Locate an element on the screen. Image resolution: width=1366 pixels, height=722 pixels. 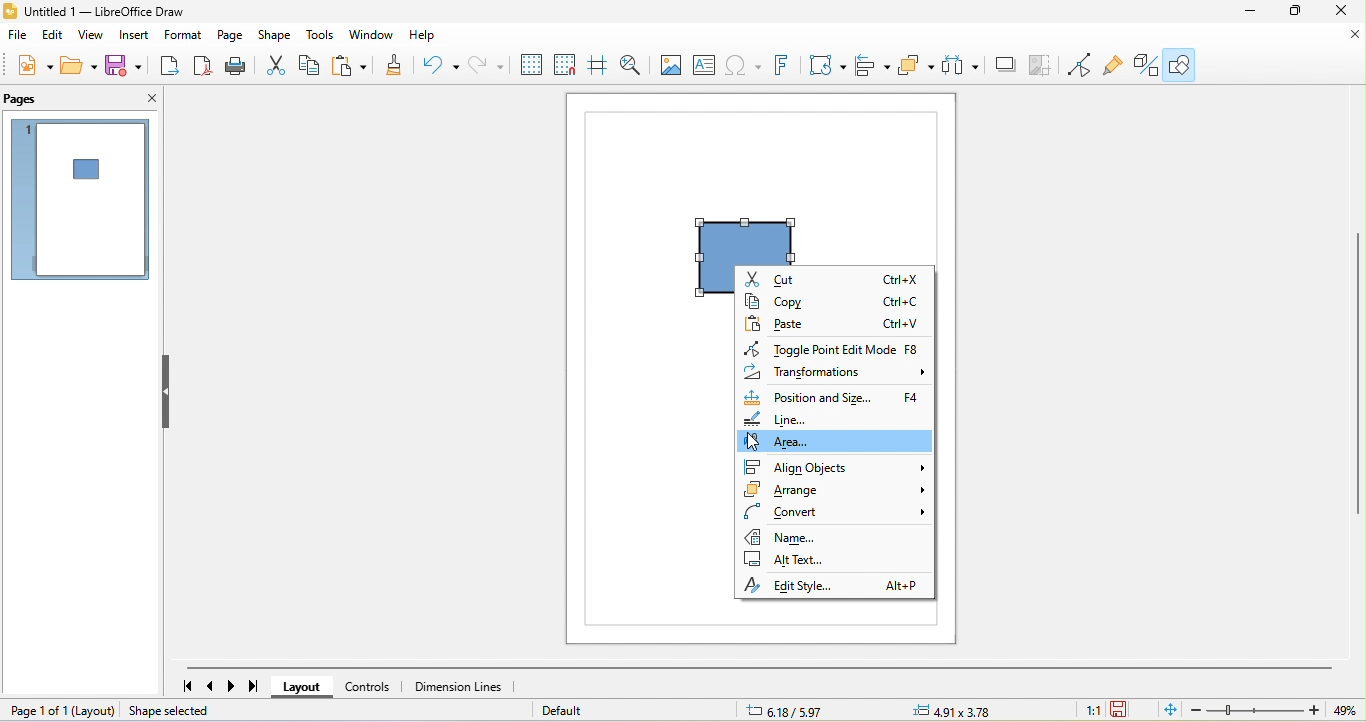
show draw function is located at coordinates (1183, 63).